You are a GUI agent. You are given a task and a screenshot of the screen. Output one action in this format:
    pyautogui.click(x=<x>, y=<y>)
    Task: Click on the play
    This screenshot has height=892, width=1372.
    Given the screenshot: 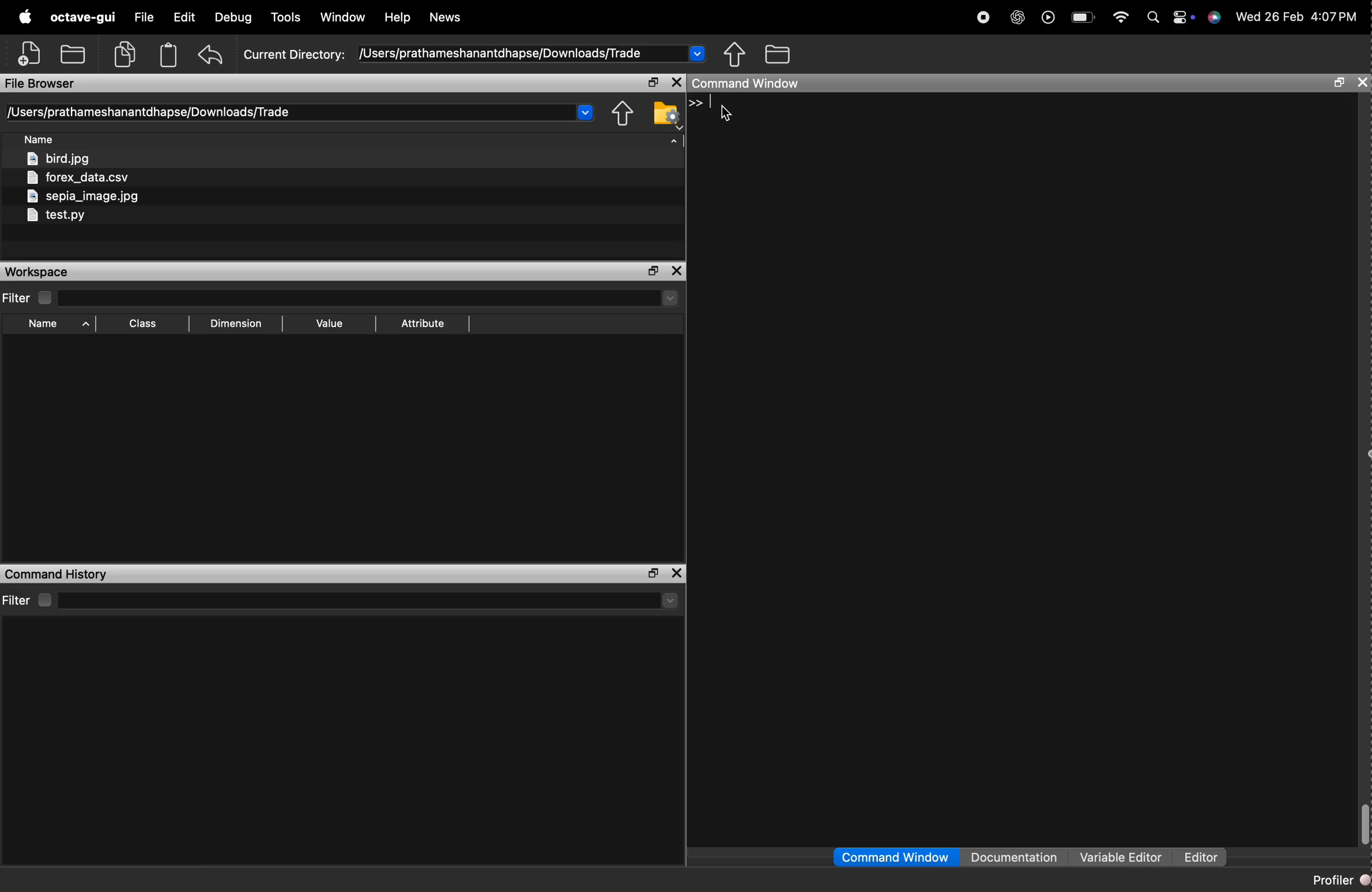 What is the action you would take?
    pyautogui.click(x=1048, y=18)
    